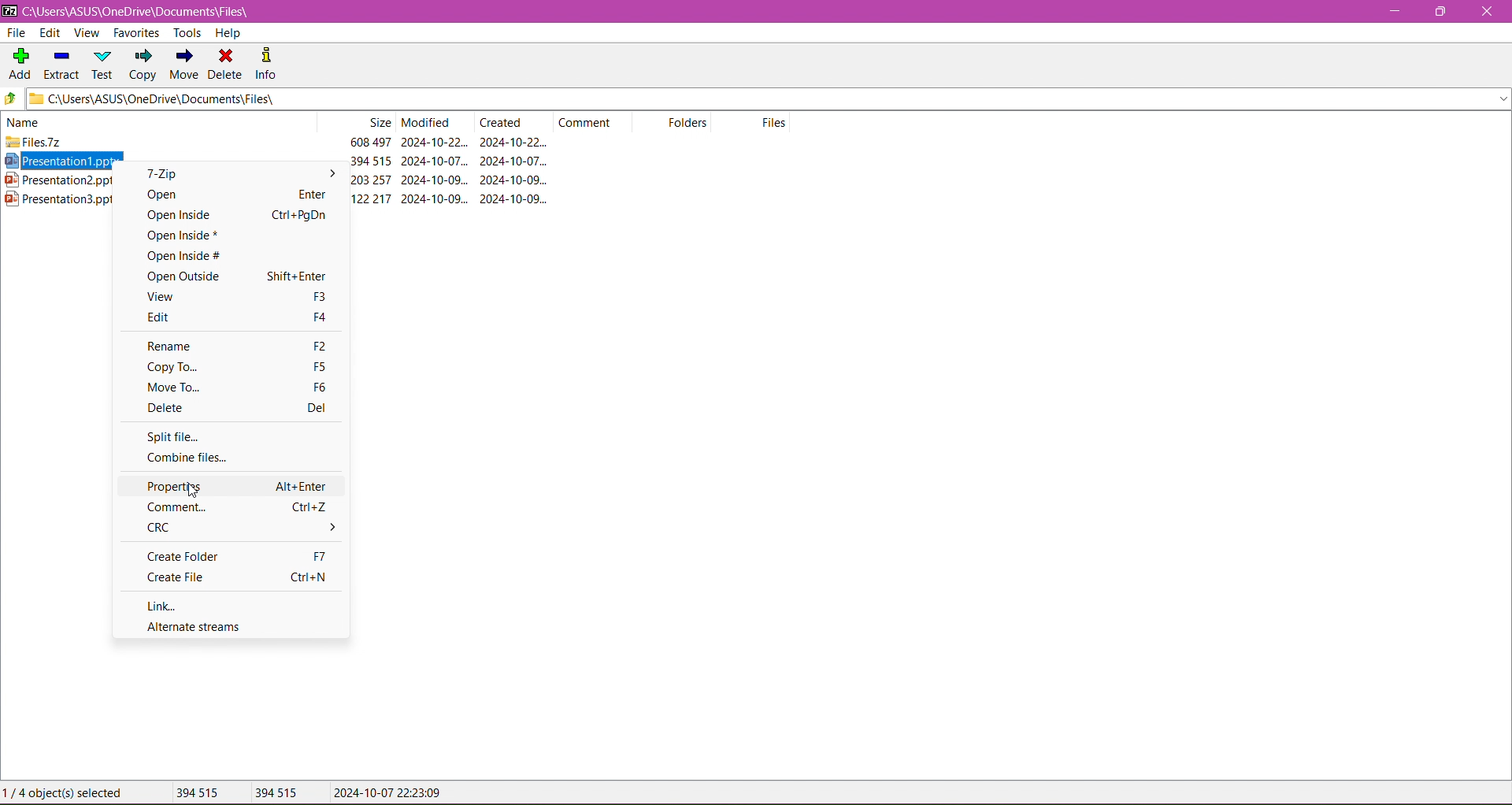 The width and height of the screenshot is (1512, 805). Describe the element at coordinates (585, 122) in the screenshot. I see `comment` at that location.